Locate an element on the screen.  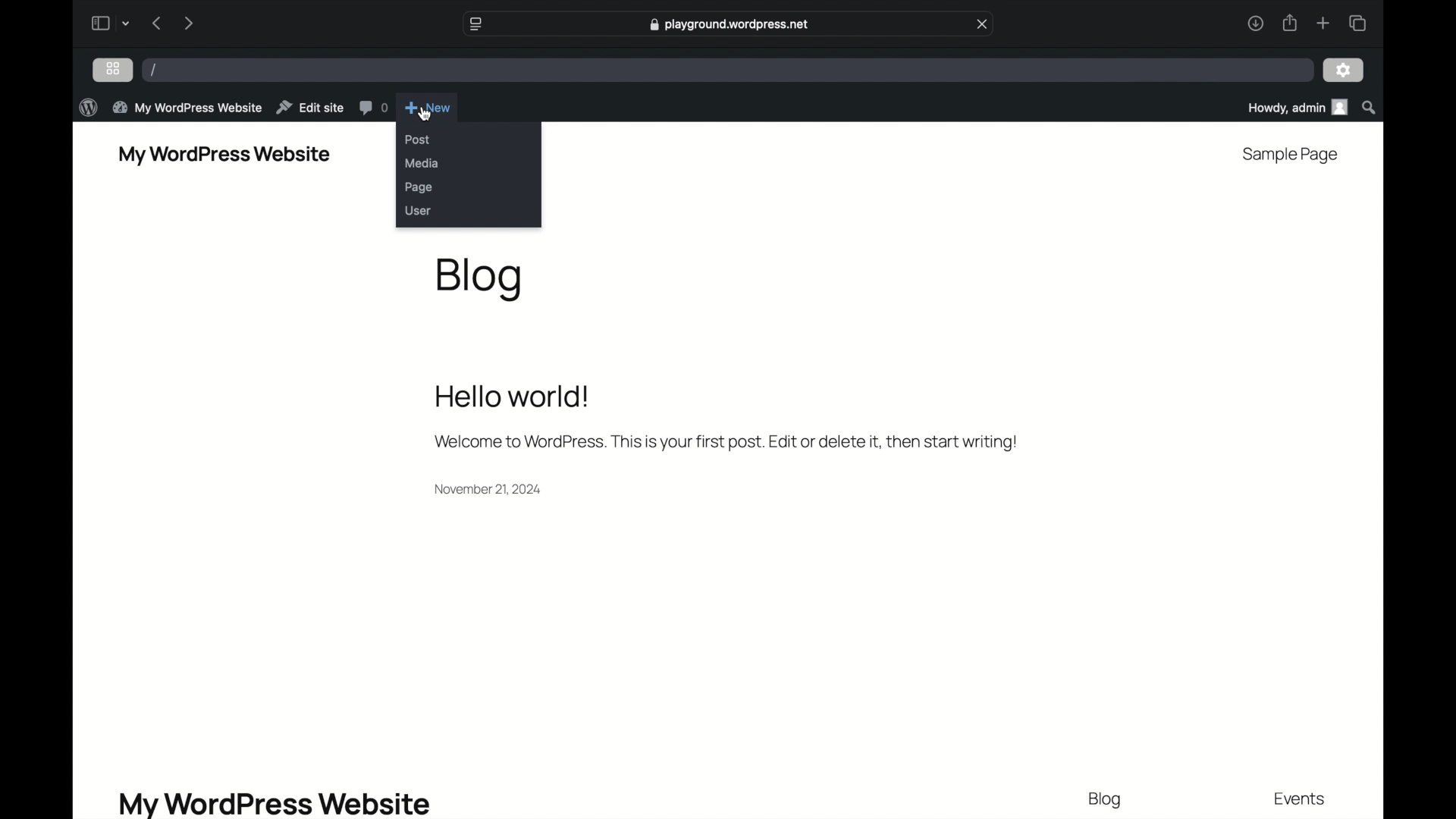
sidebar is located at coordinates (99, 23).